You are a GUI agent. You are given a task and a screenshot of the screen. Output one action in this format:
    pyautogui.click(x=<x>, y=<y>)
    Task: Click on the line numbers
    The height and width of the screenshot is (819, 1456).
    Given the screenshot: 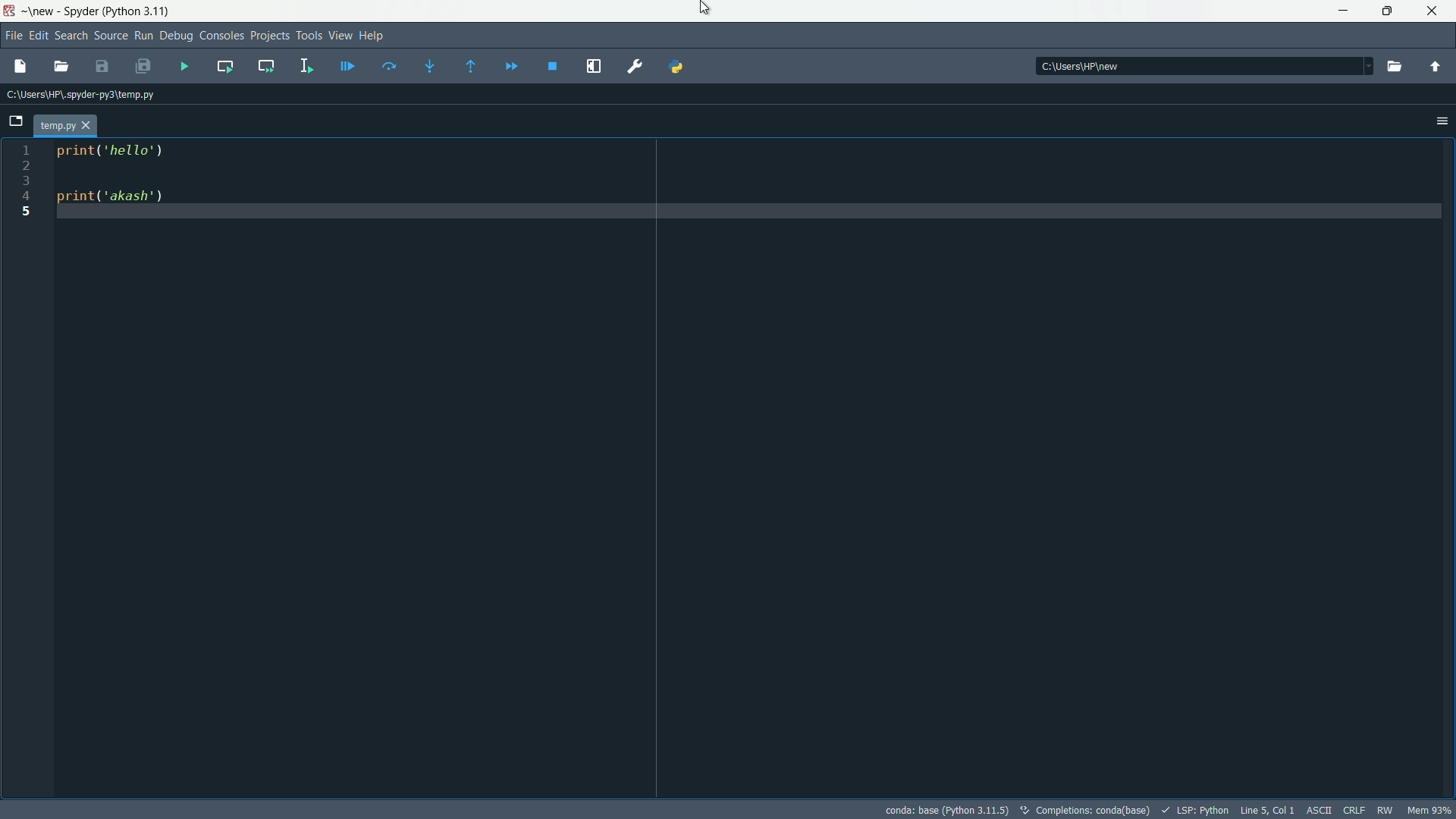 What is the action you would take?
    pyautogui.click(x=26, y=181)
    